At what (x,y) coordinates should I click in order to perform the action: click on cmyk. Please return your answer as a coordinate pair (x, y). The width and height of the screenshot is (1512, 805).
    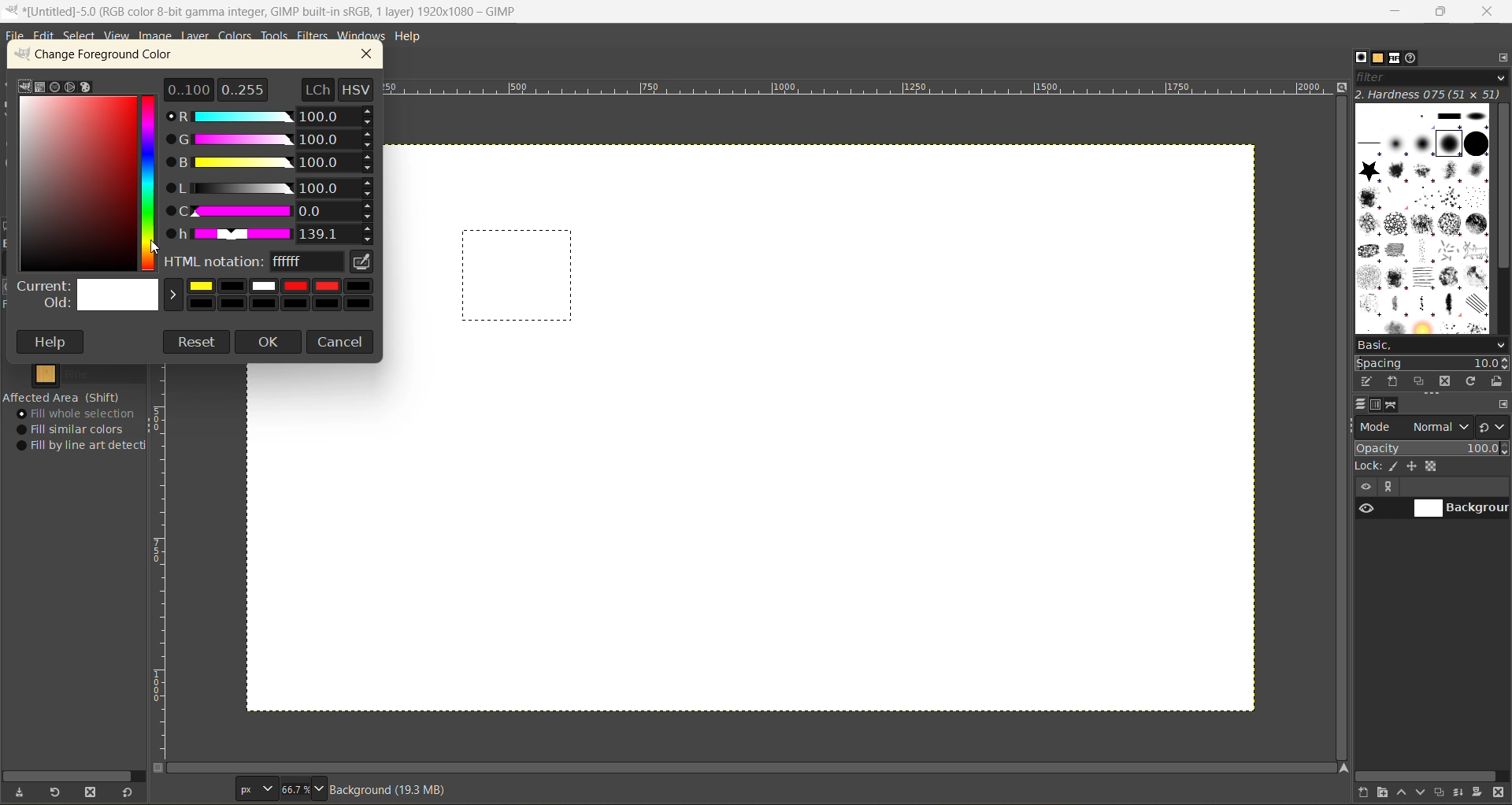
    Looking at the image, I should click on (40, 87).